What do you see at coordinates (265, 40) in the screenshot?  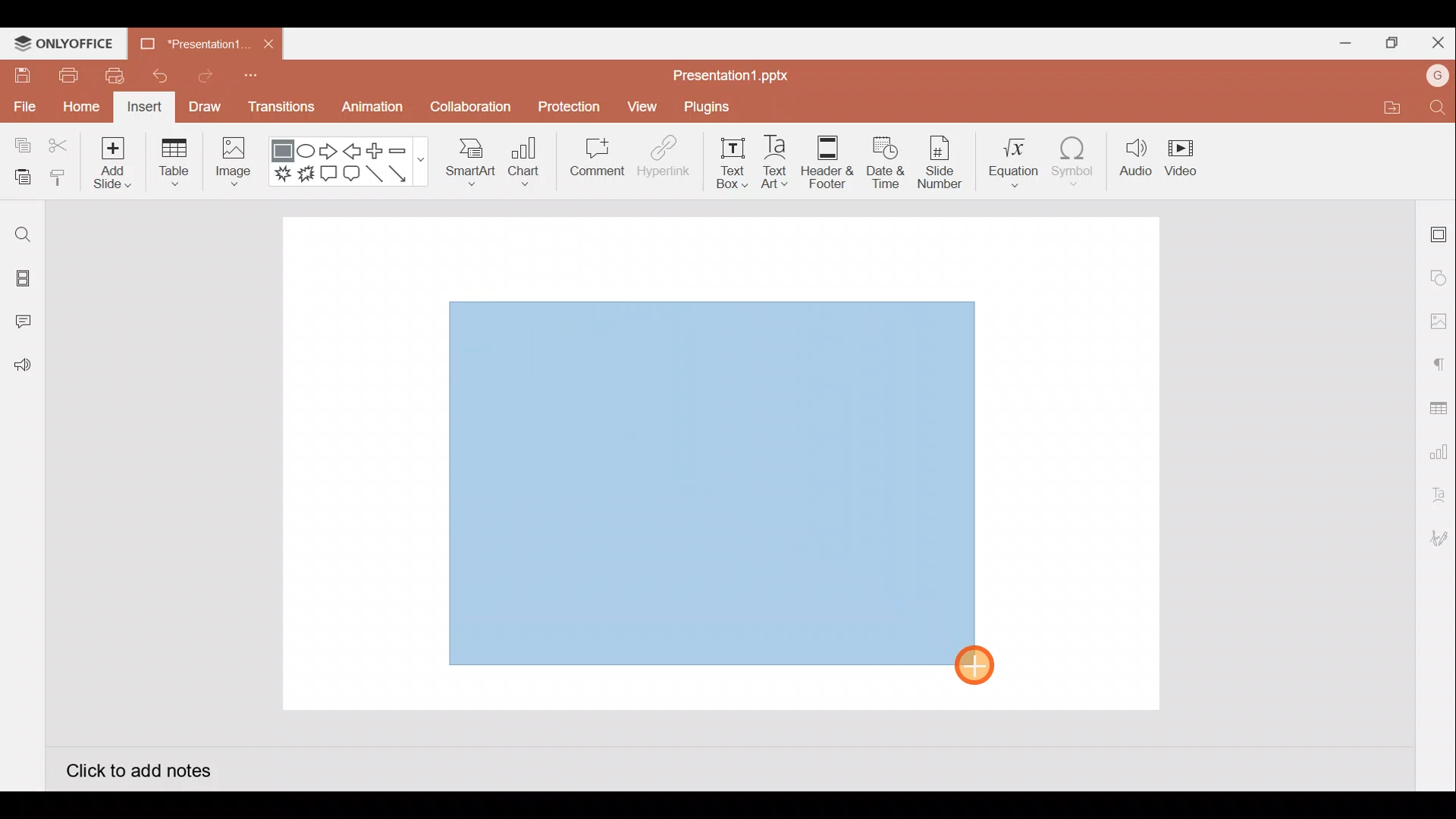 I see `Close document` at bounding box center [265, 40].